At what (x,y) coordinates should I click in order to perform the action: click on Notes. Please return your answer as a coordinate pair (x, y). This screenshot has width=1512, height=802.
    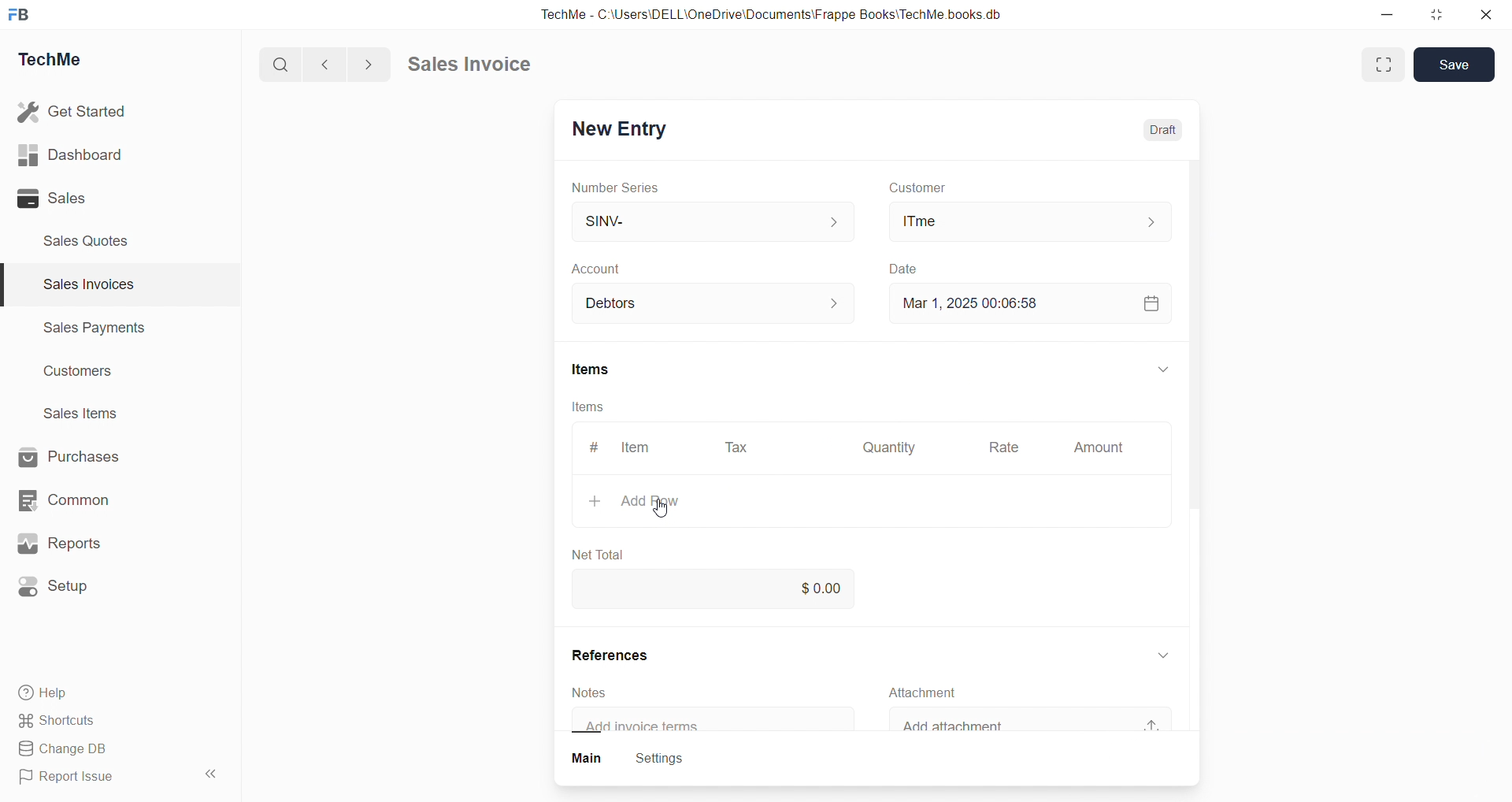
    Looking at the image, I should click on (598, 692).